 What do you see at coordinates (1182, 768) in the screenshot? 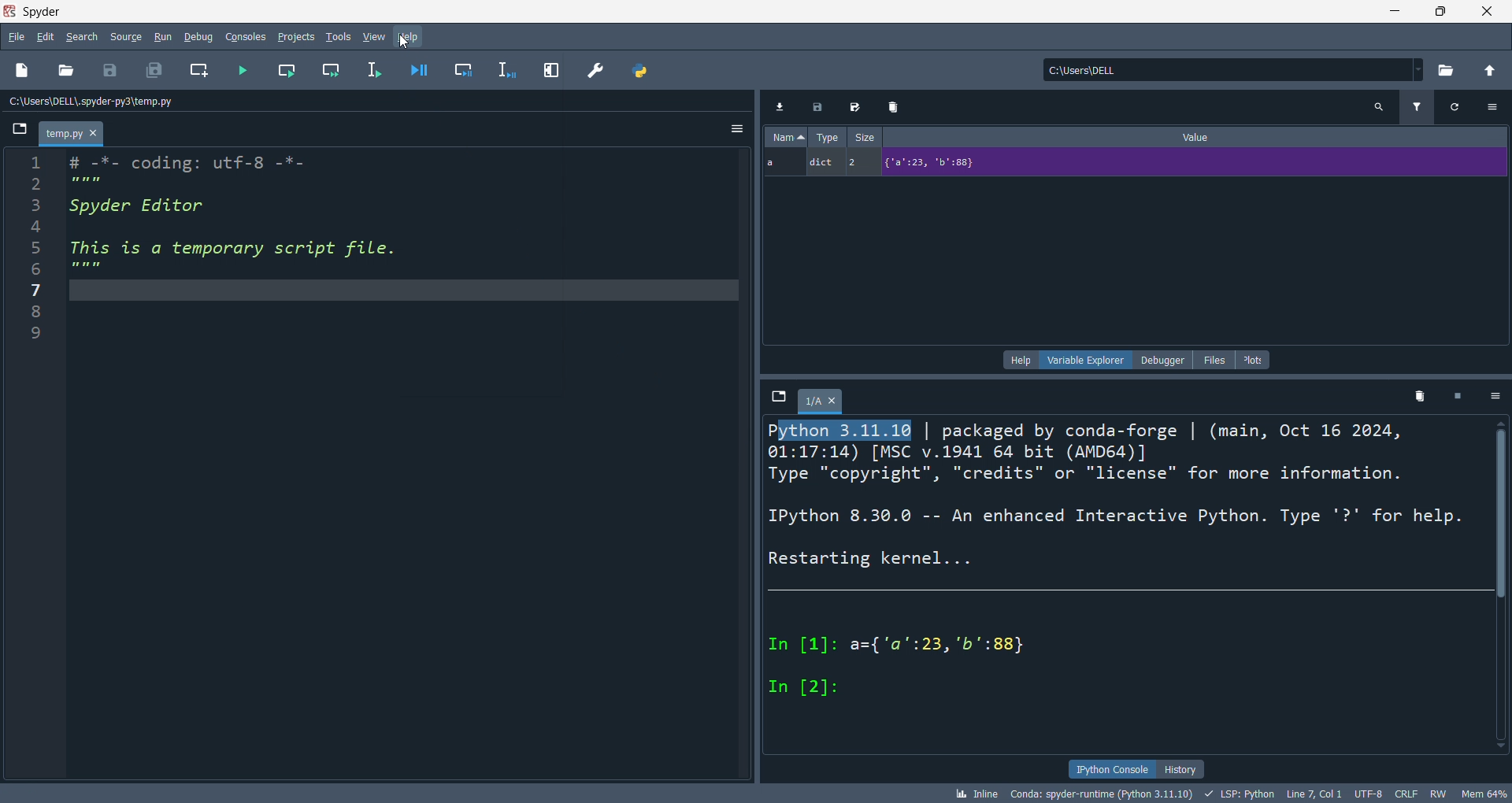
I see `history` at bounding box center [1182, 768].